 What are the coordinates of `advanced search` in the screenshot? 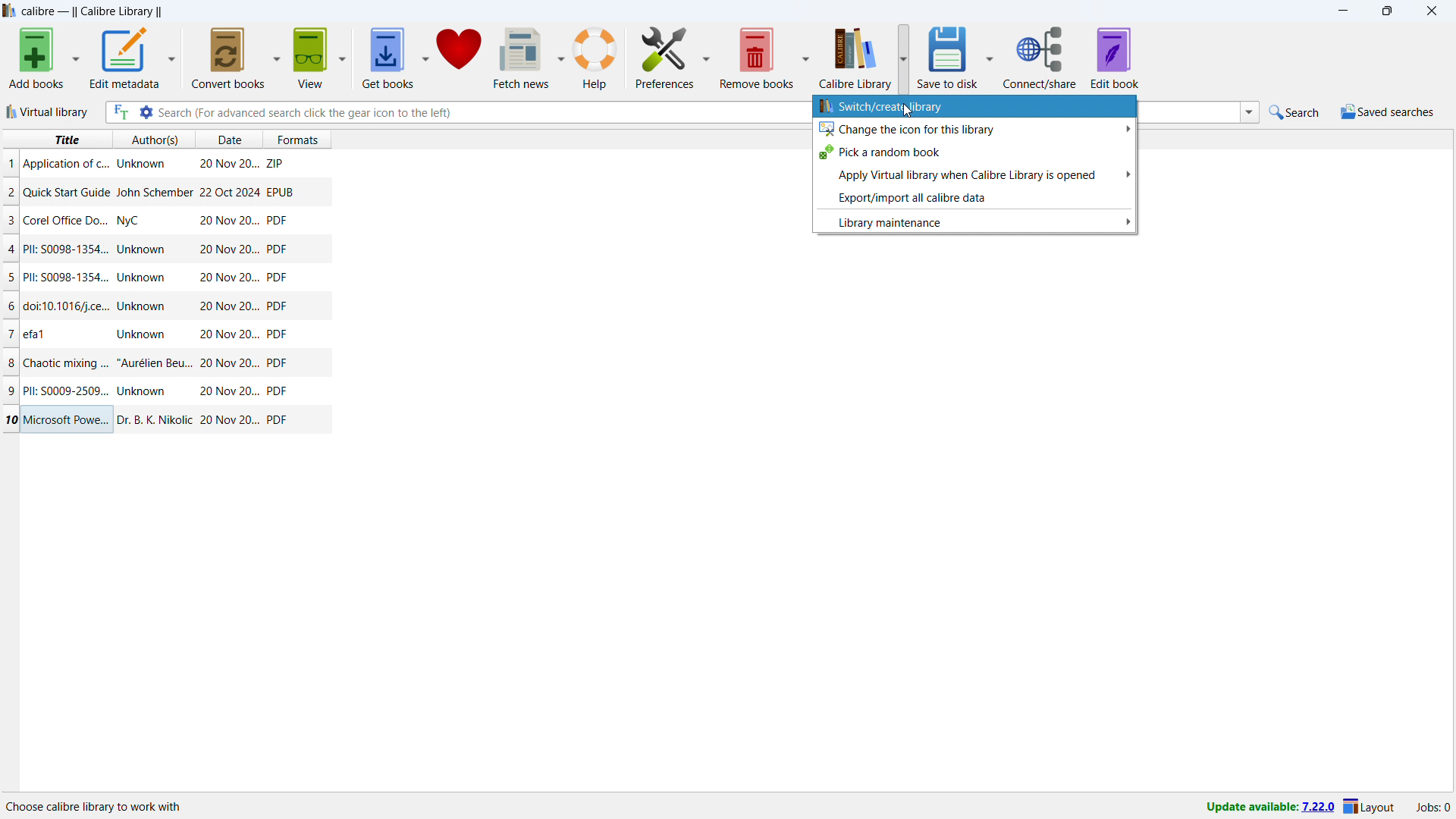 It's located at (145, 112).